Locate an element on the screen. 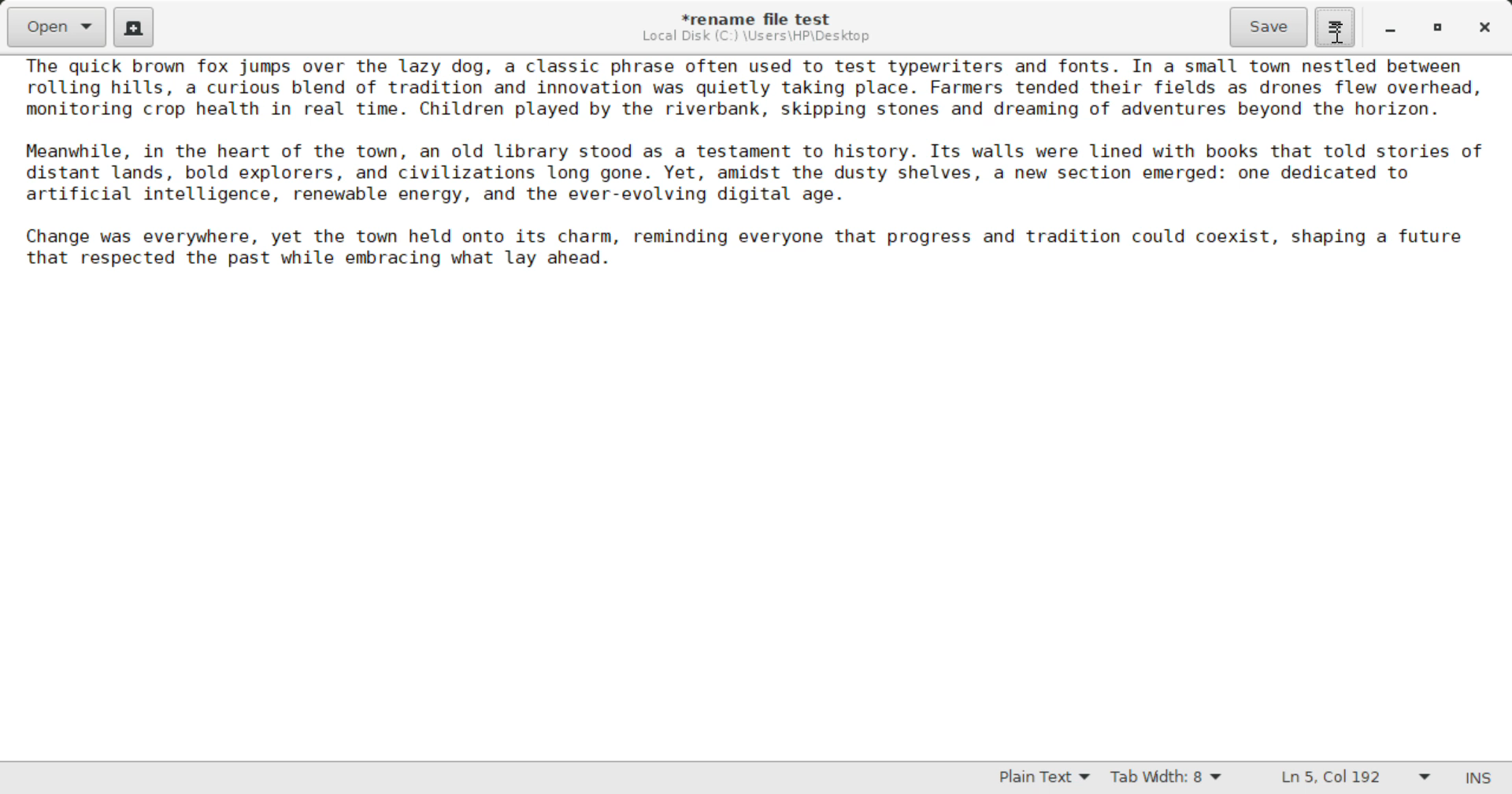  File Location is located at coordinates (756, 36).